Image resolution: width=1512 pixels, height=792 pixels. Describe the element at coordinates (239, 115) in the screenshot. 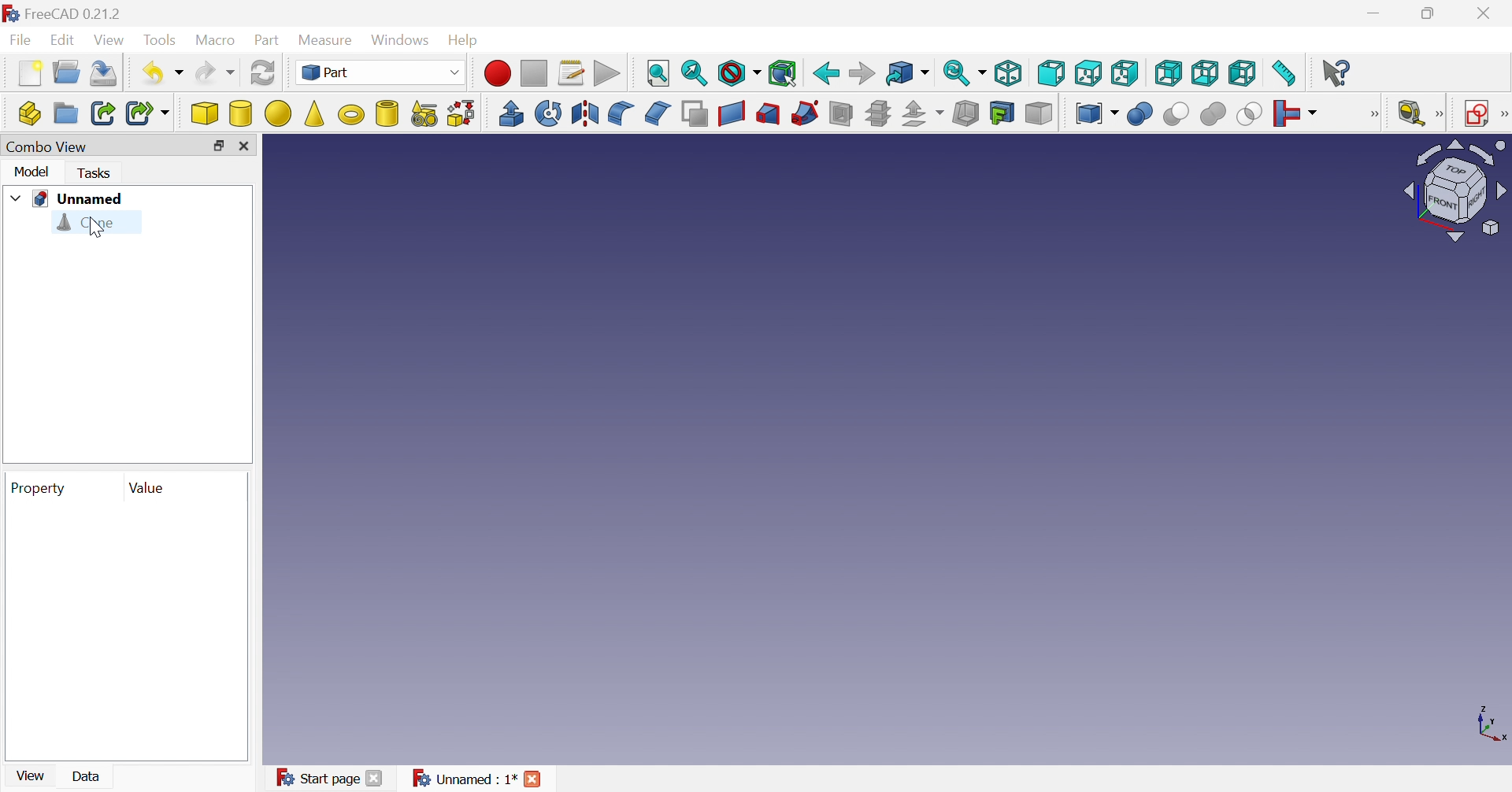

I see `Cylinder` at that location.